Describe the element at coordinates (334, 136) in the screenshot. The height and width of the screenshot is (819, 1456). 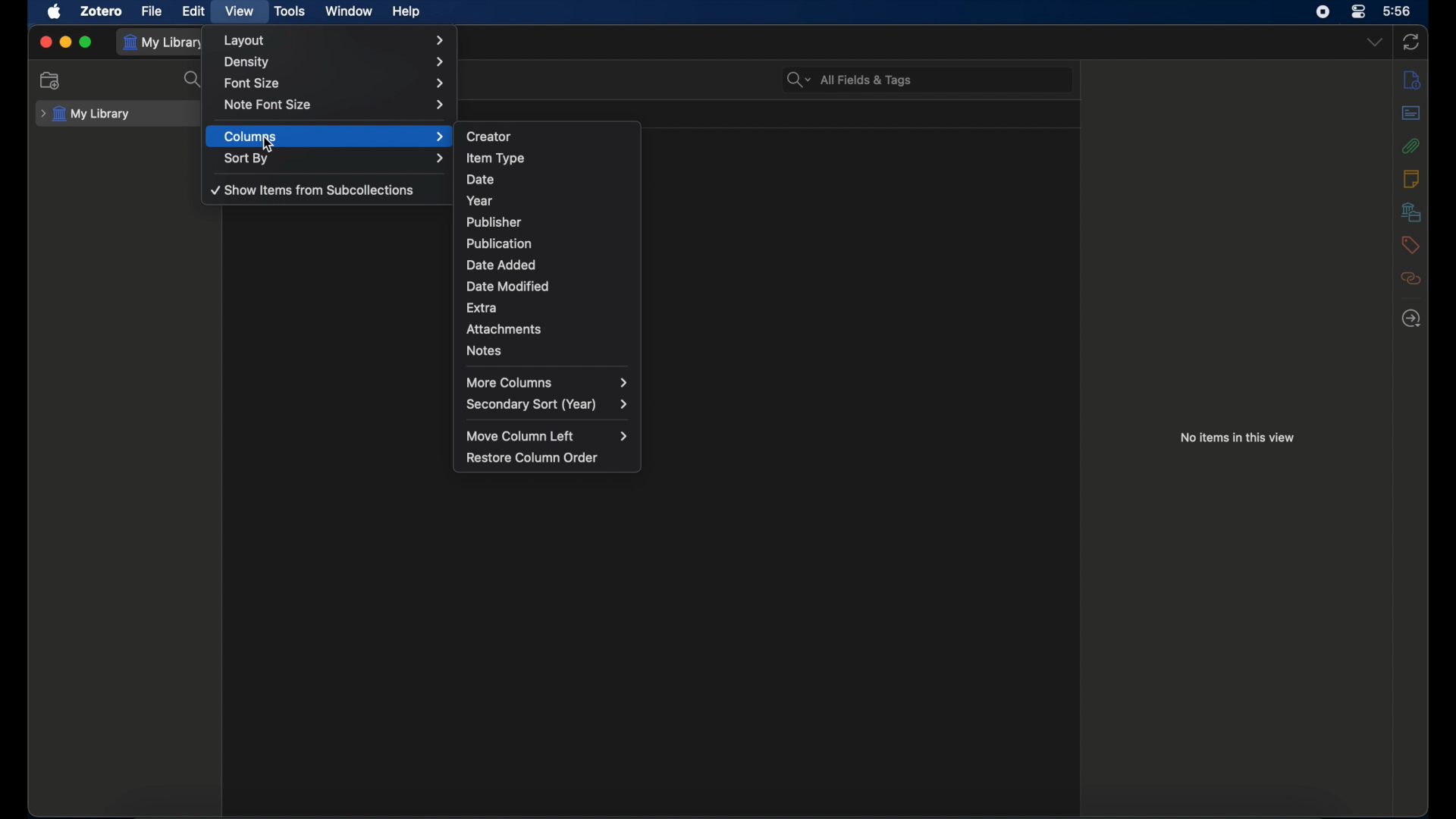
I see `columns` at that location.